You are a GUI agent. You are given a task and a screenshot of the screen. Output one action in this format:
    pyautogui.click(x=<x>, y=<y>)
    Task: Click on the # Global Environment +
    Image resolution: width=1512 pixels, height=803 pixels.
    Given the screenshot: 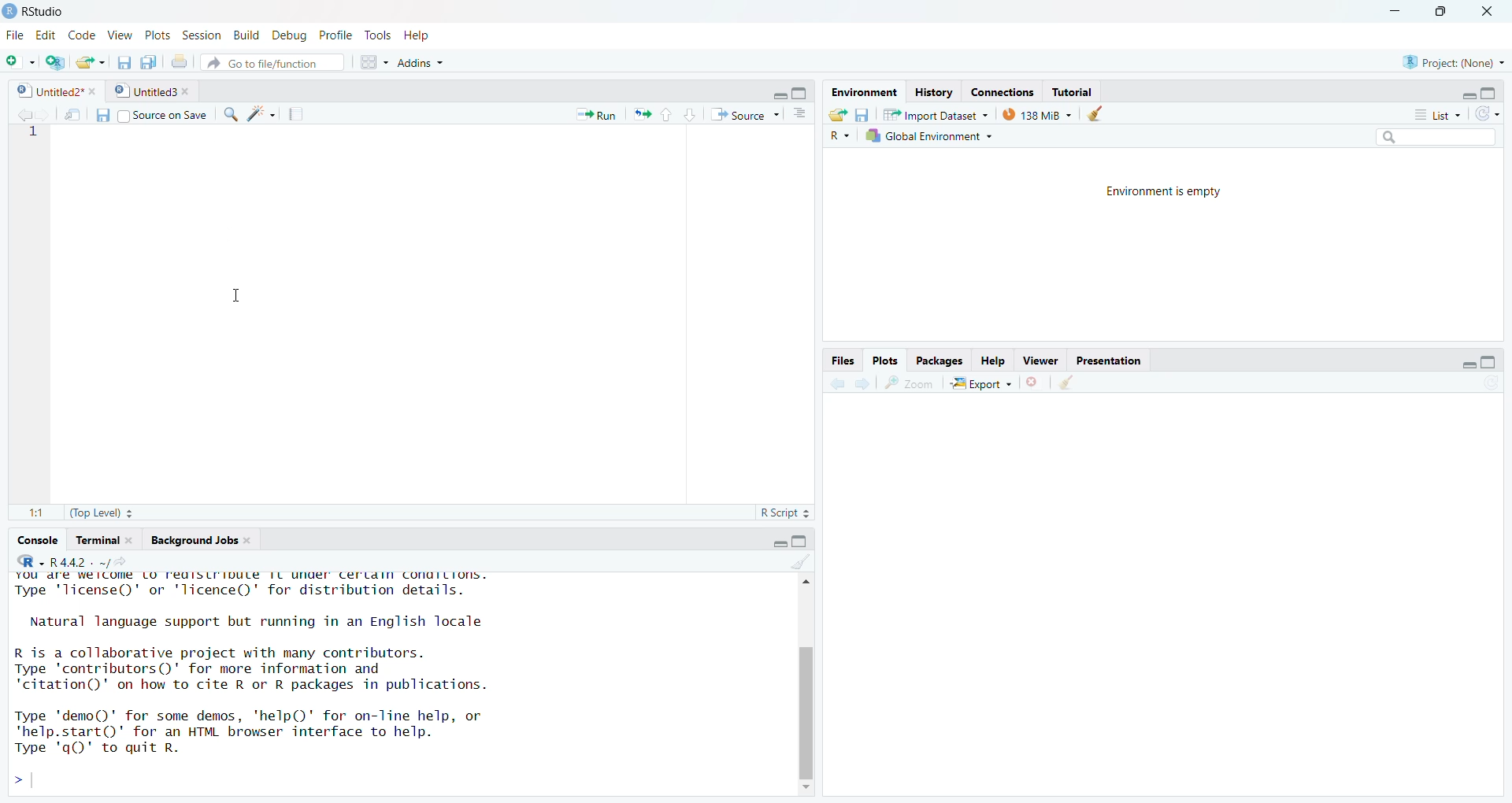 What is the action you would take?
    pyautogui.click(x=928, y=134)
    